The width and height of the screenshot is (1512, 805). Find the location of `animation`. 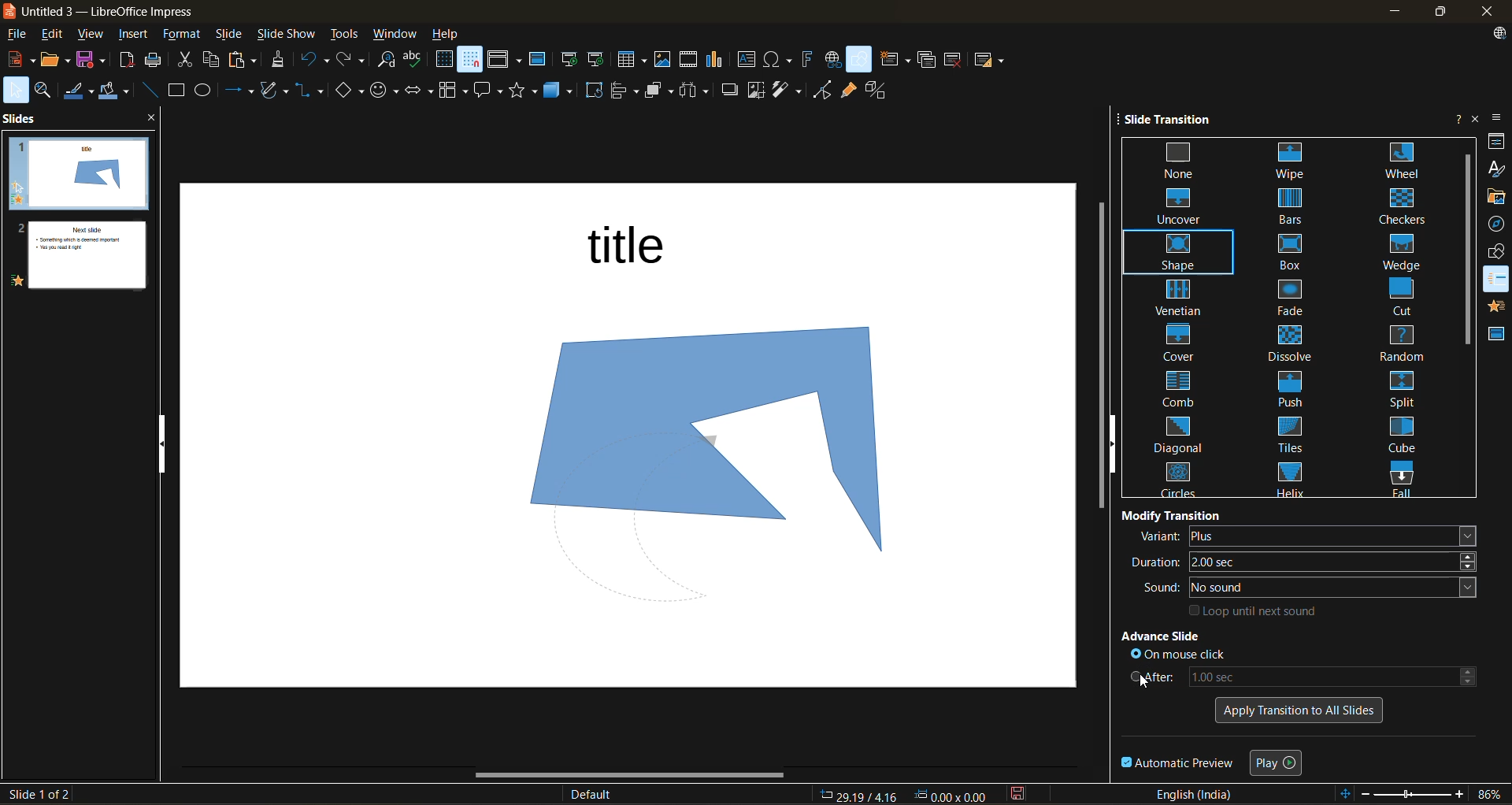

animation is located at coordinates (1496, 309).